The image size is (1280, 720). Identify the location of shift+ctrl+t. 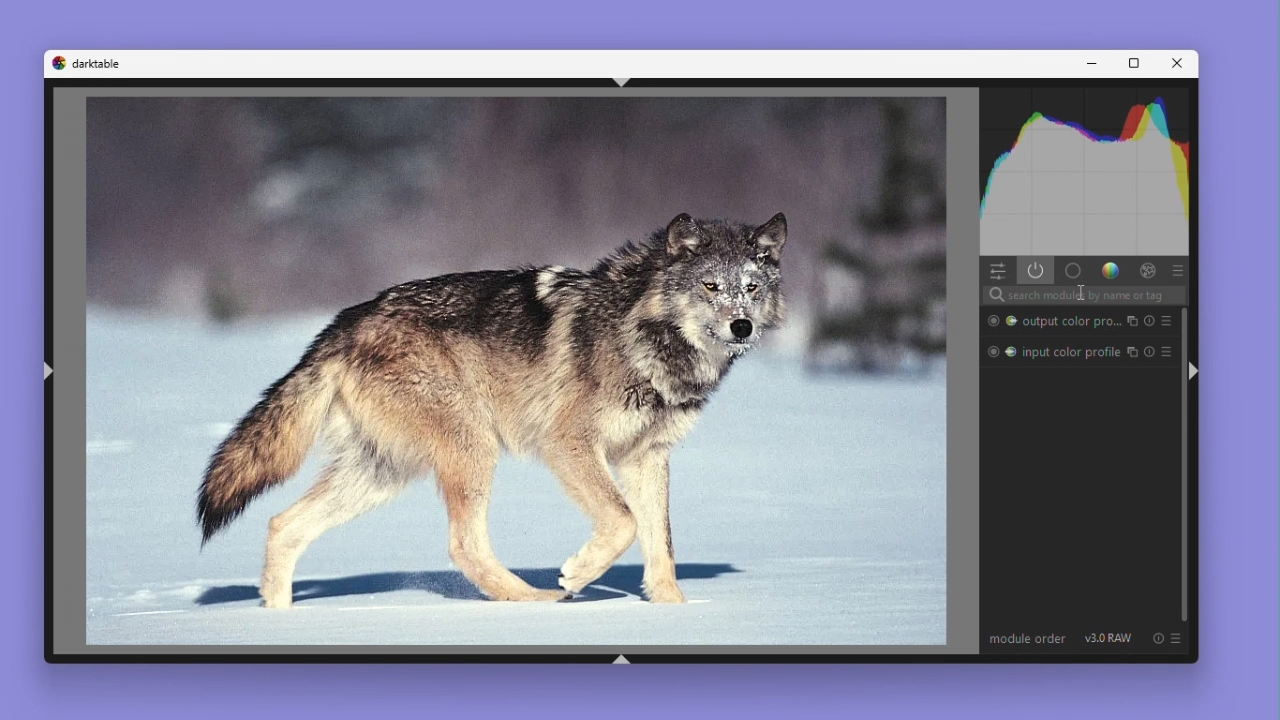
(623, 83).